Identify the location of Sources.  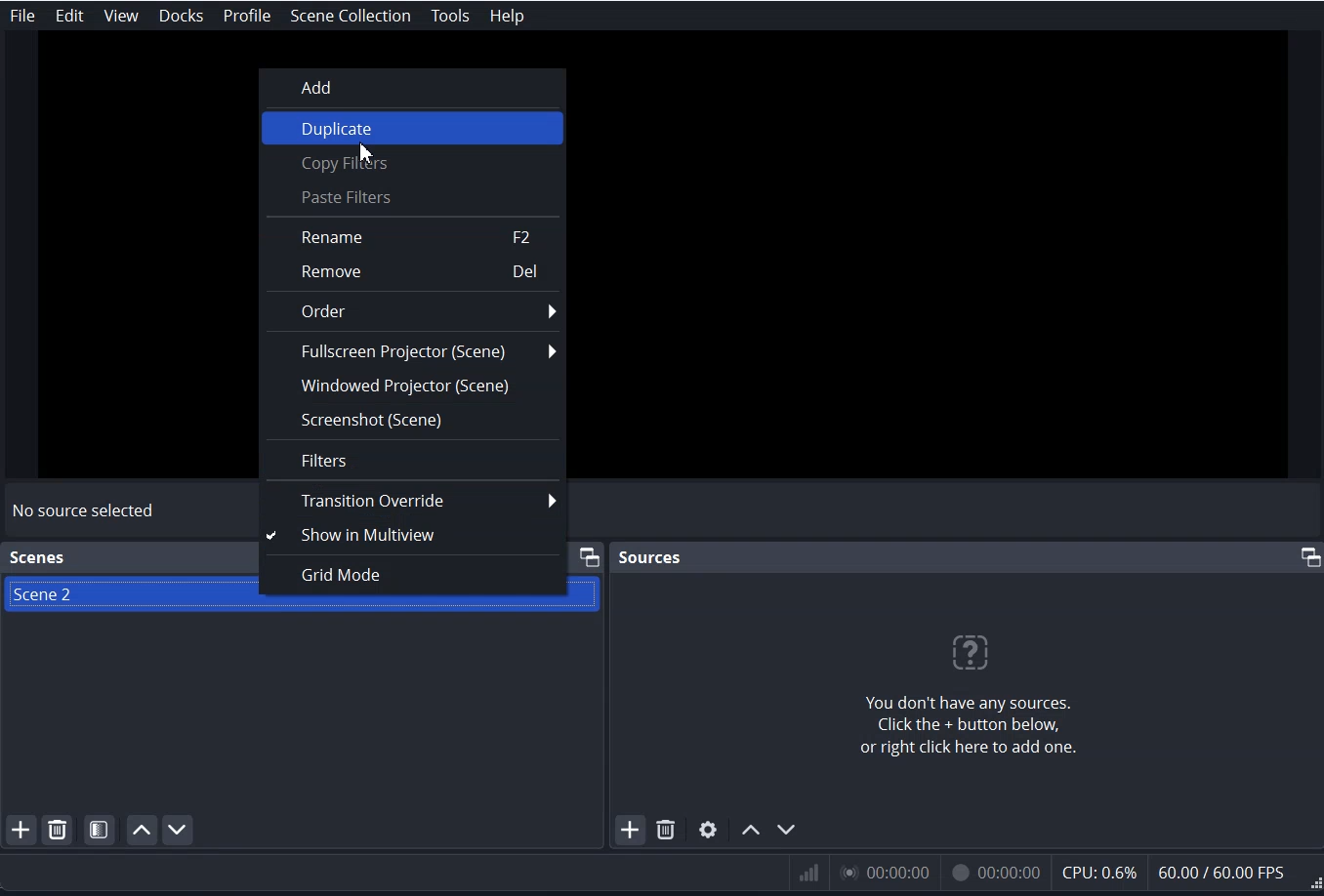
(651, 555).